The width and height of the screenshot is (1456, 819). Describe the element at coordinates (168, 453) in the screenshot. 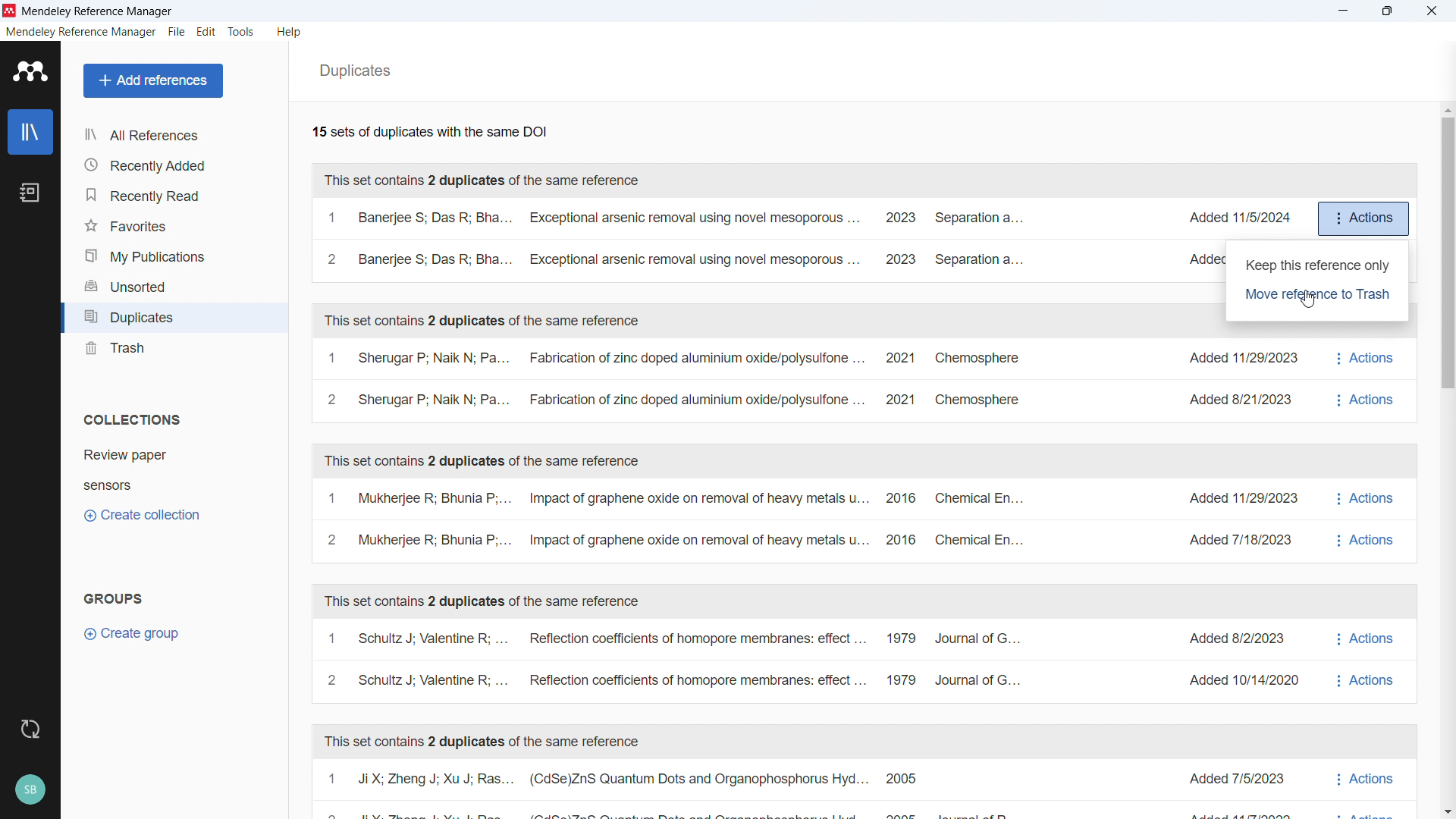

I see `collection  1` at that location.